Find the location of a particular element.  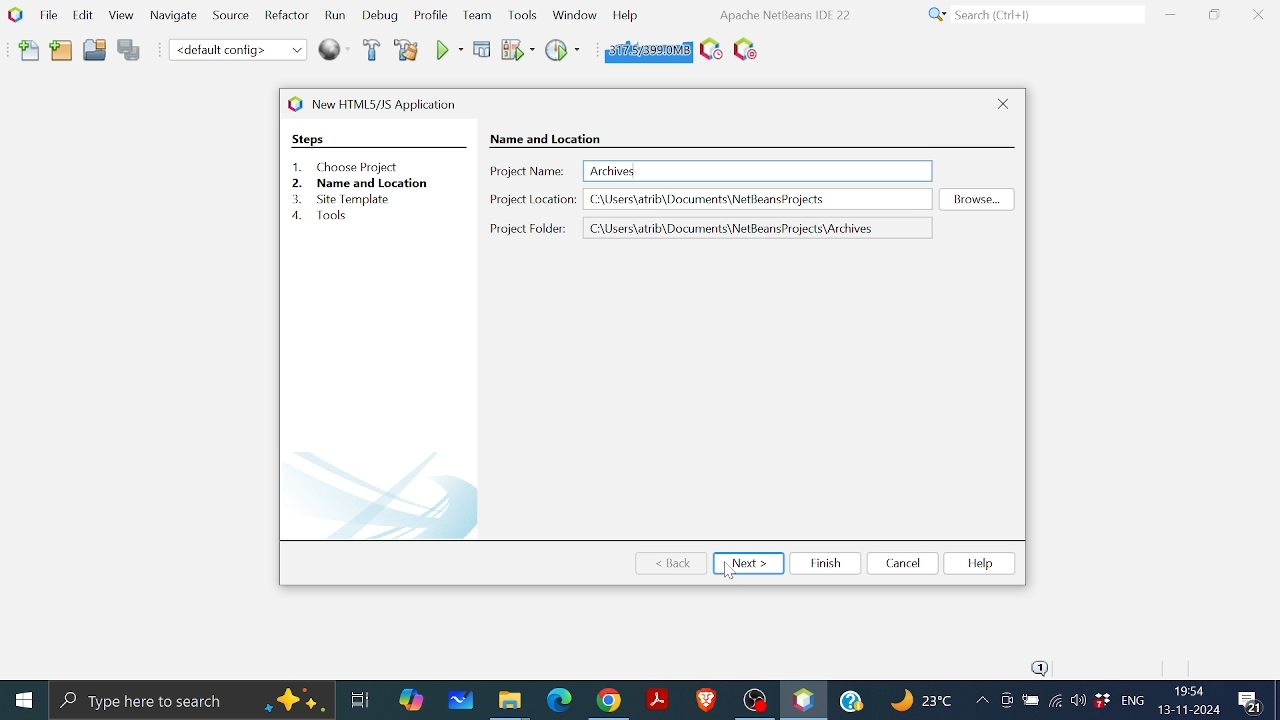

Netbeans is located at coordinates (803, 700).